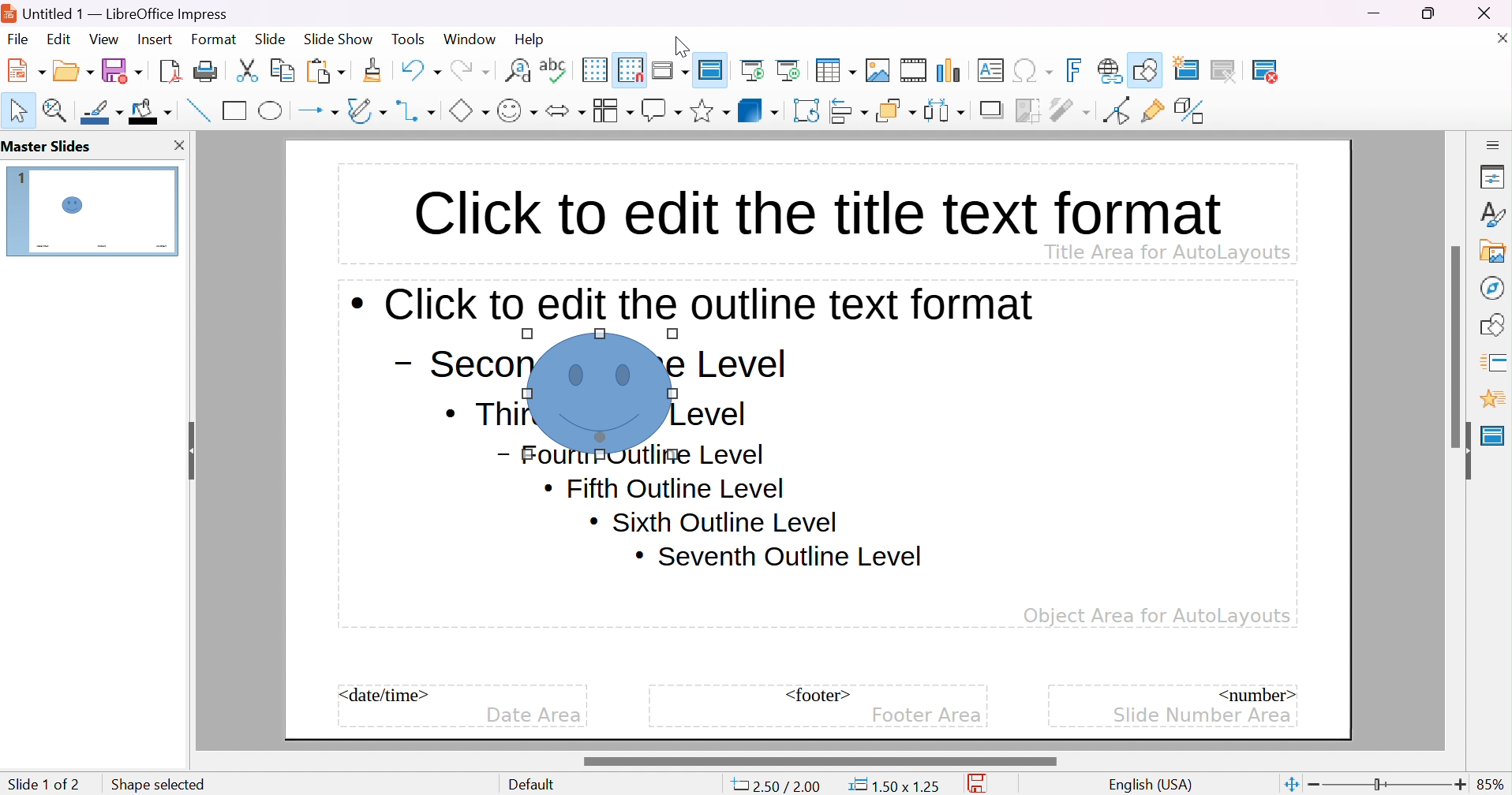  I want to click on <date/time>, so click(385, 695).